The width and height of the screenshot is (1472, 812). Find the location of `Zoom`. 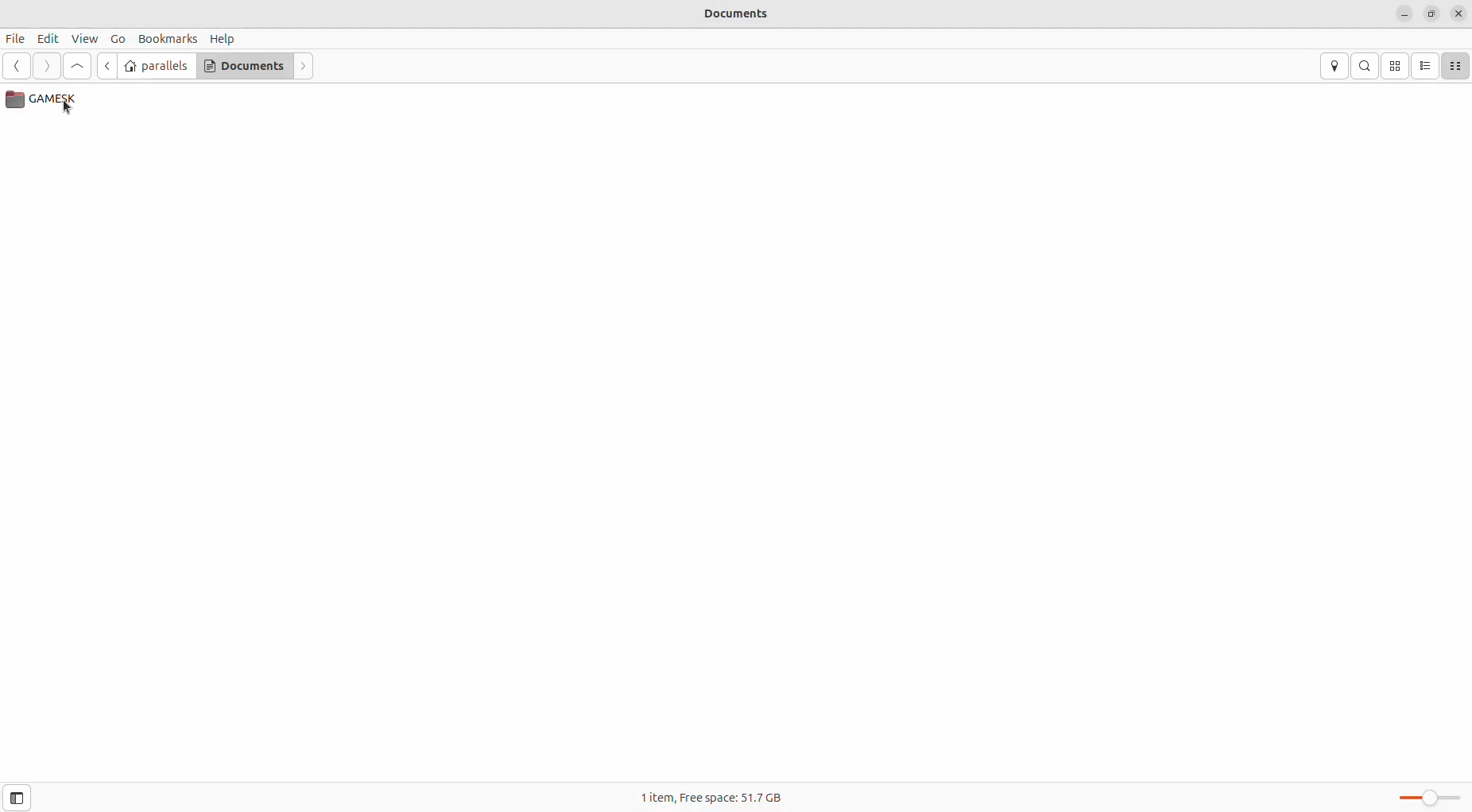

Zoom is located at coordinates (1420, 798).